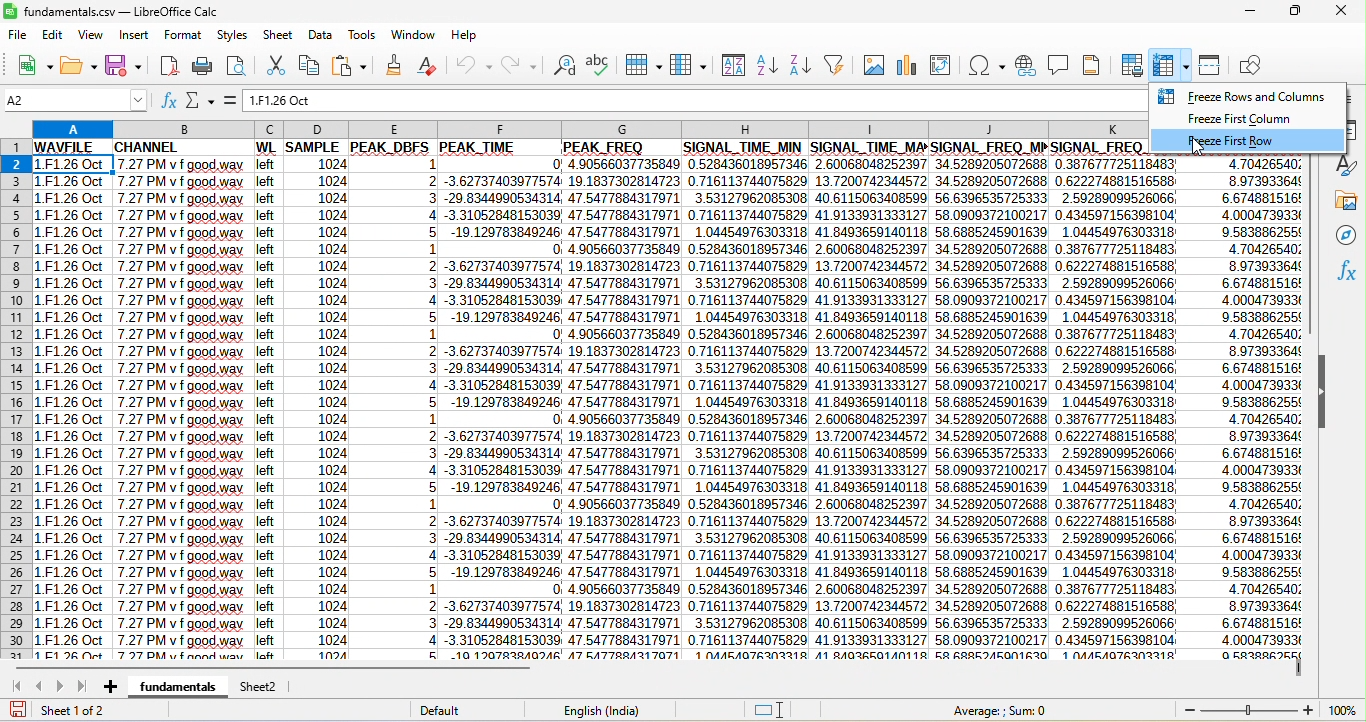  I want to click on rows, so click(17, 400).